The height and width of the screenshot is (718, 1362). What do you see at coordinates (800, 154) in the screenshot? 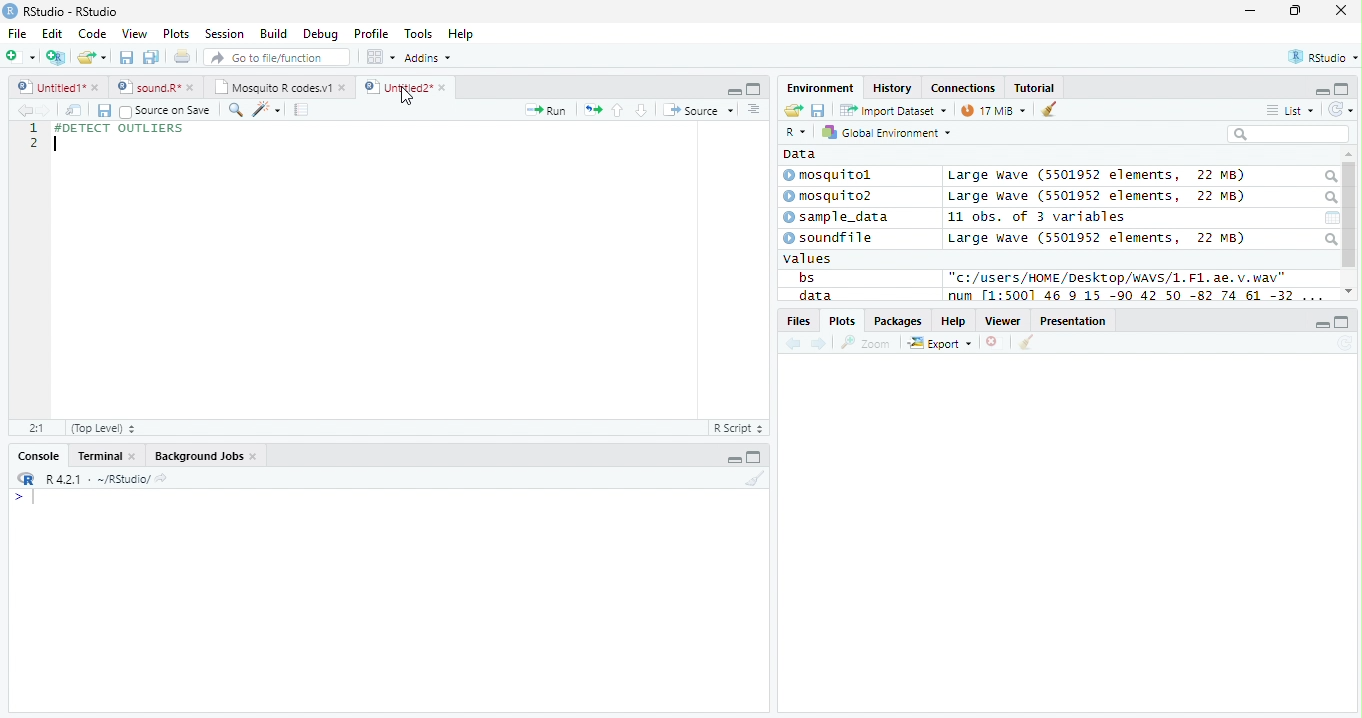
I see `Data` at bounding box center [800, 154].